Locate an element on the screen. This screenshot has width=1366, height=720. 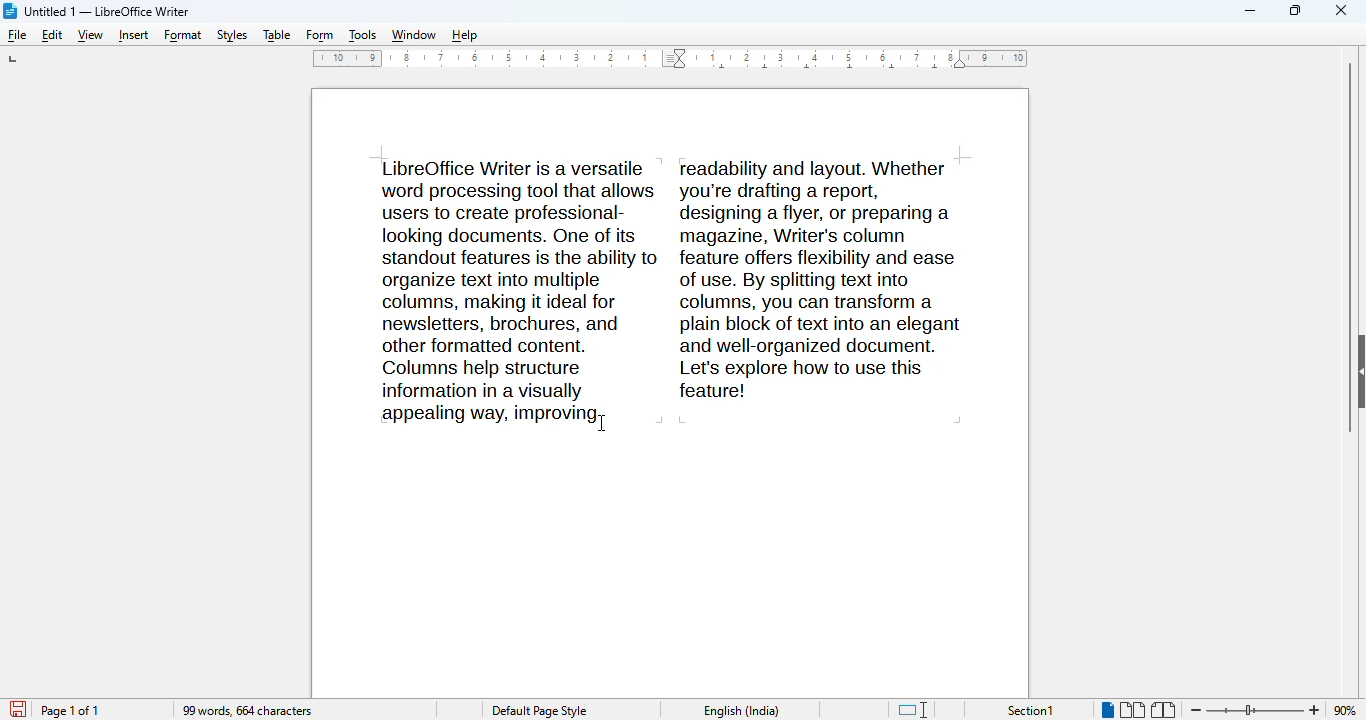
zoom factor is located at coordinates (1346, 710).